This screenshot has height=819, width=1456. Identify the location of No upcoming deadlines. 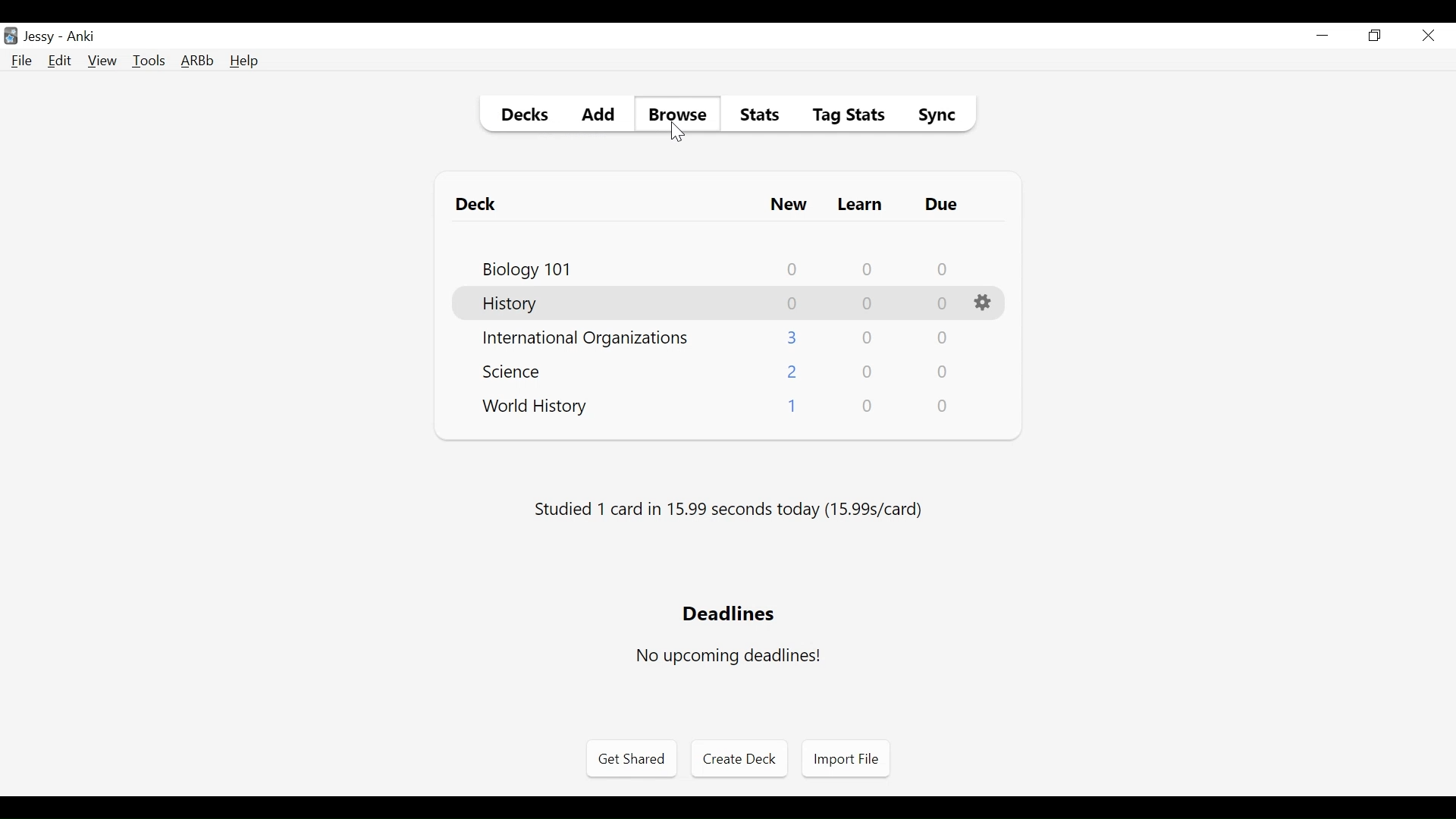
(730, 657).